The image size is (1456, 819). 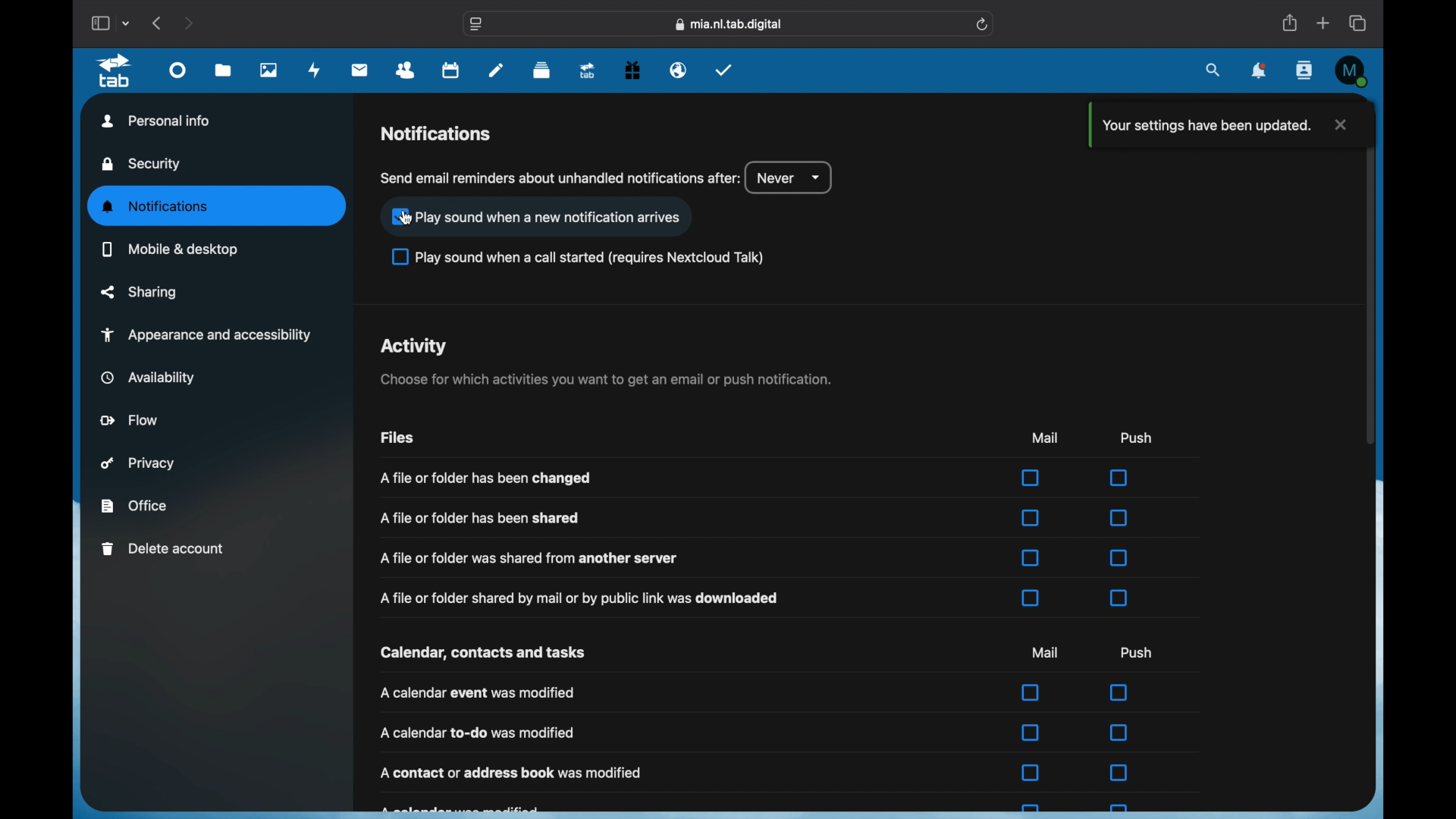 I want to click on emails, so click(x=679, y=71).